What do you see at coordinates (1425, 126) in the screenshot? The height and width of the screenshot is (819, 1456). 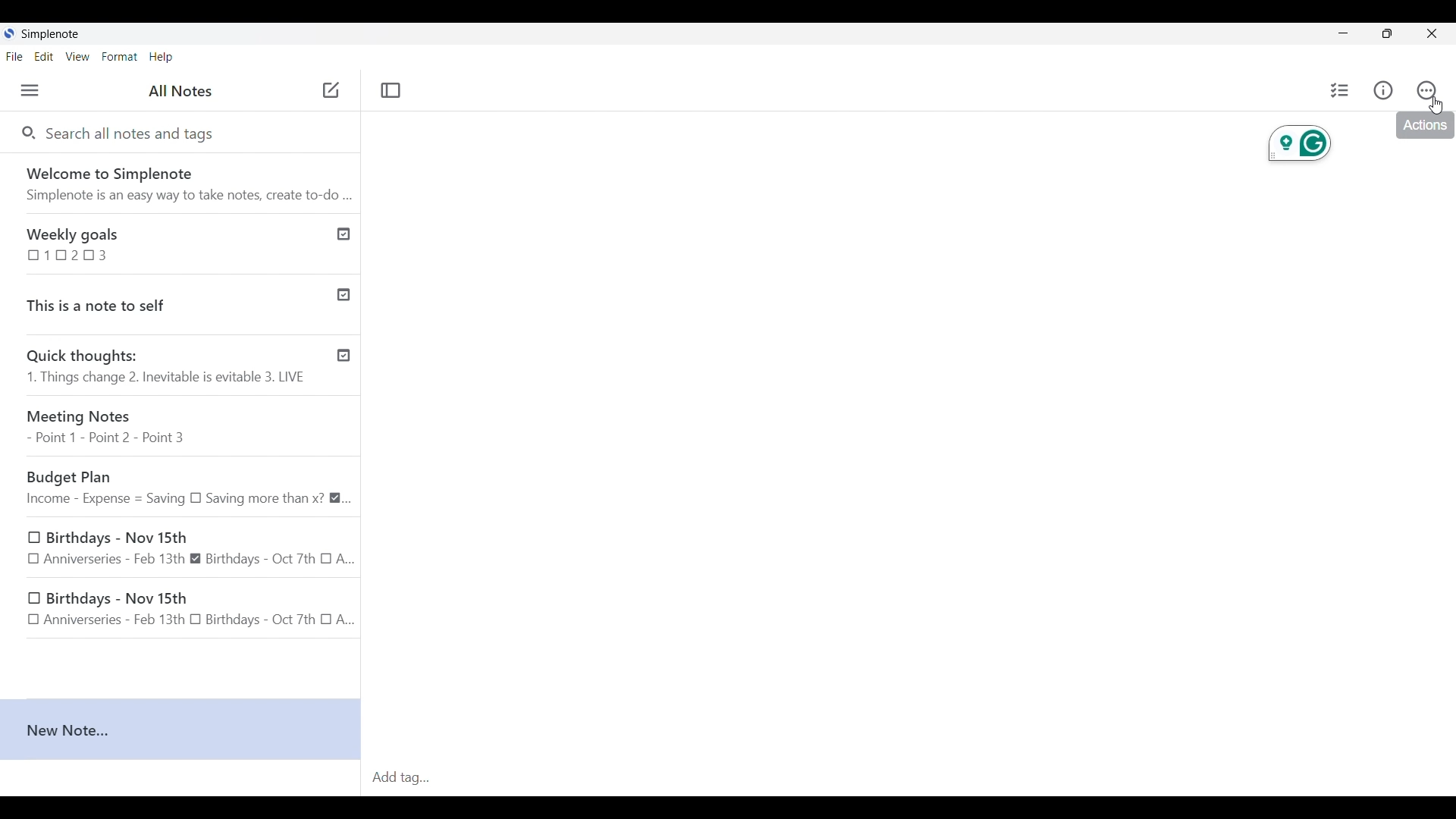 I see `Description of selected icon` at bounding box center [1425, 126].